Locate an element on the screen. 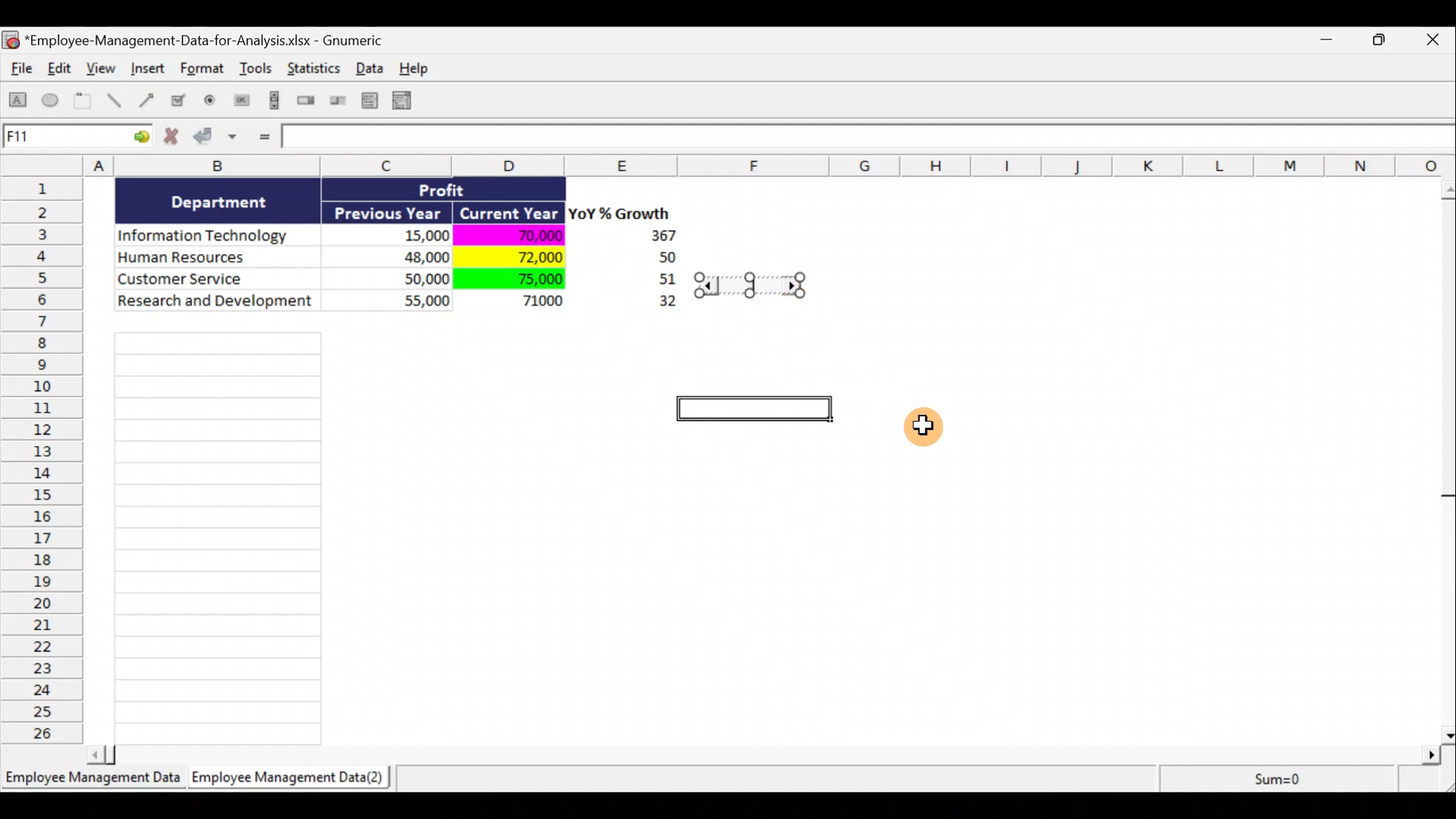 The width and height of the screenshot is (1456, 819). Cursor is located at coordinates (927, 428).